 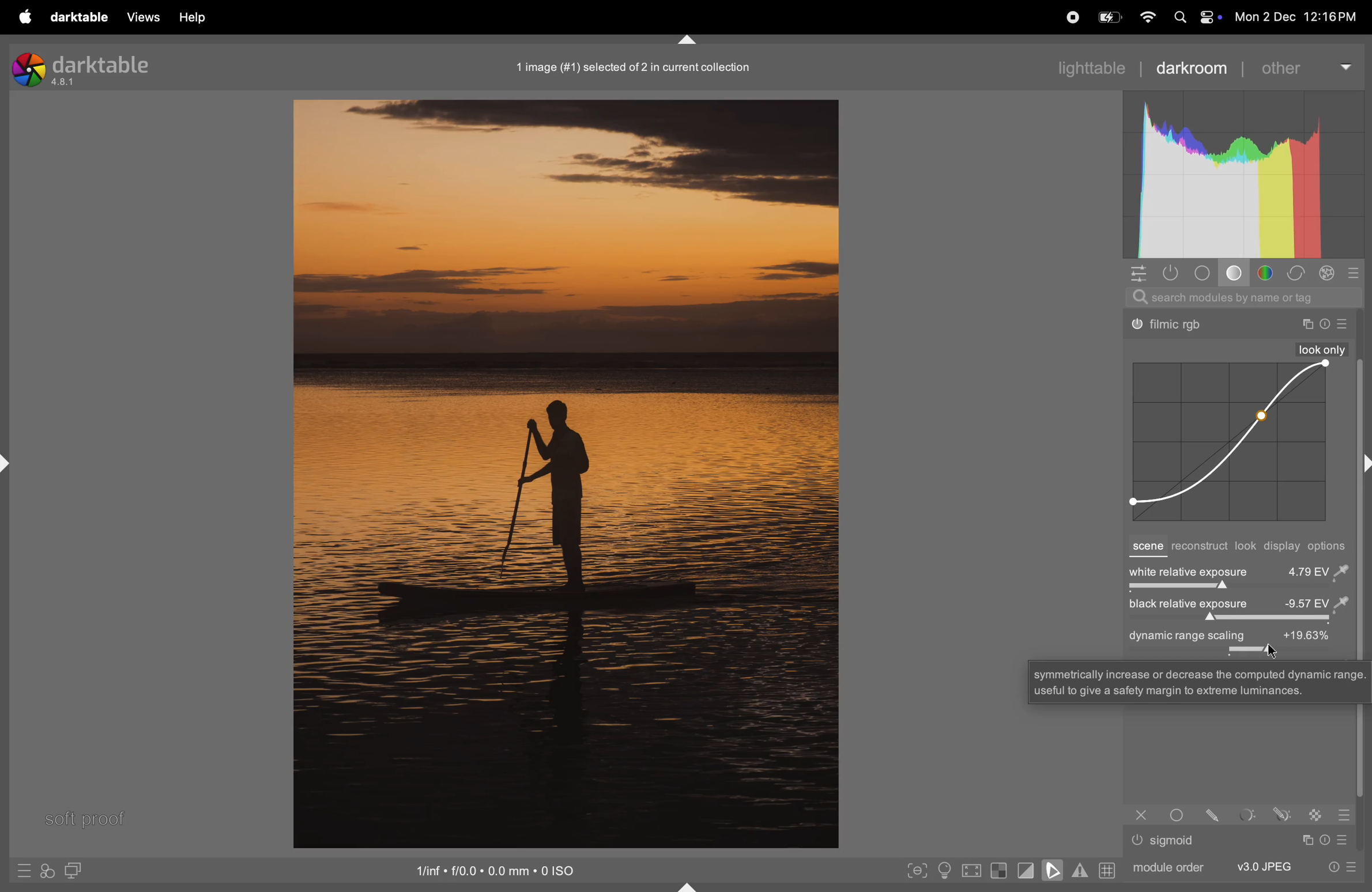 What do you see at coordinates (1306, 324) in the screenshot?
I see `` at bounding box center [1306, 324].